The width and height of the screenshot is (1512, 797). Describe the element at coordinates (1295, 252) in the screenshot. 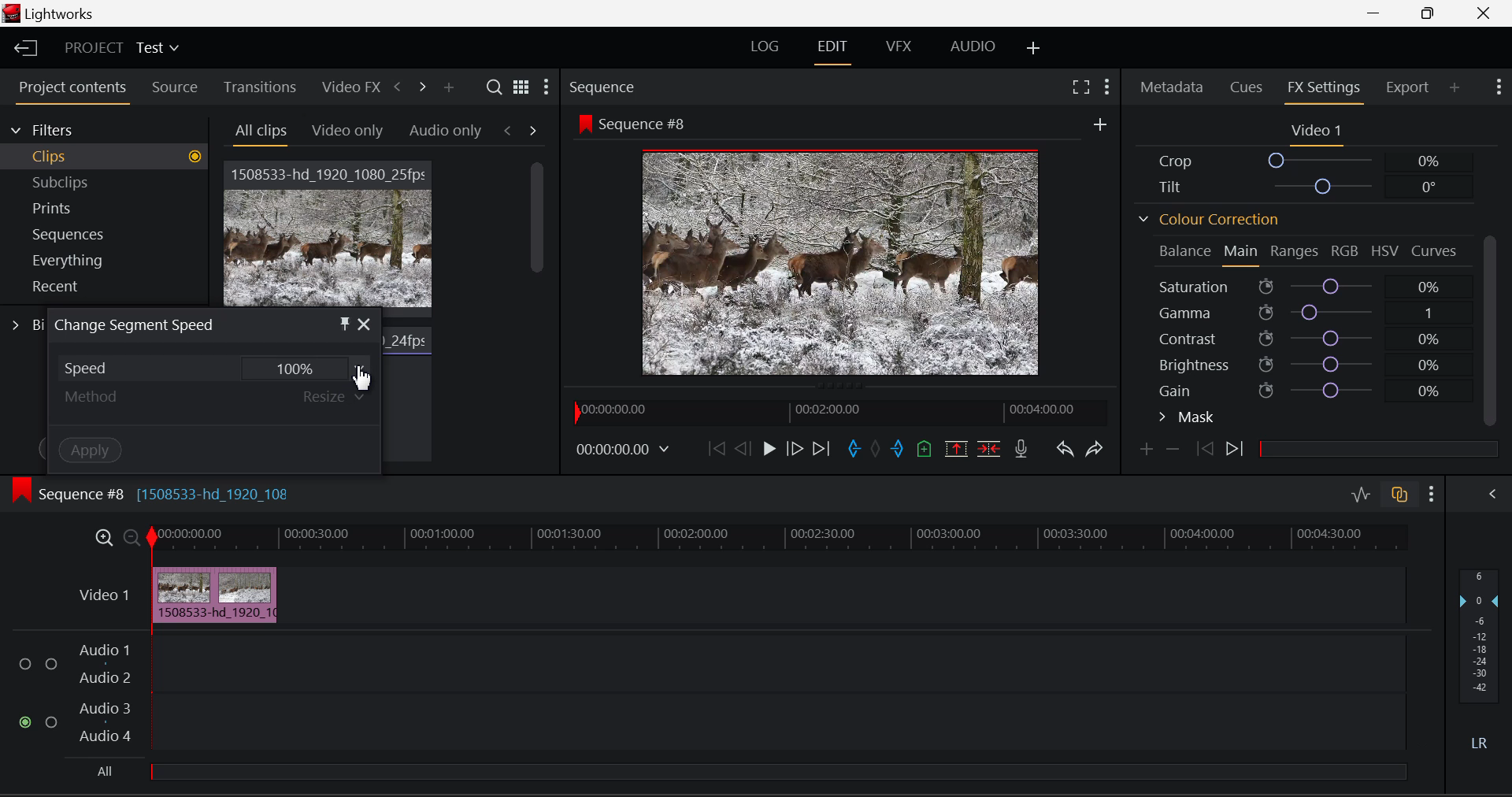

I see `Ranges` at that location.